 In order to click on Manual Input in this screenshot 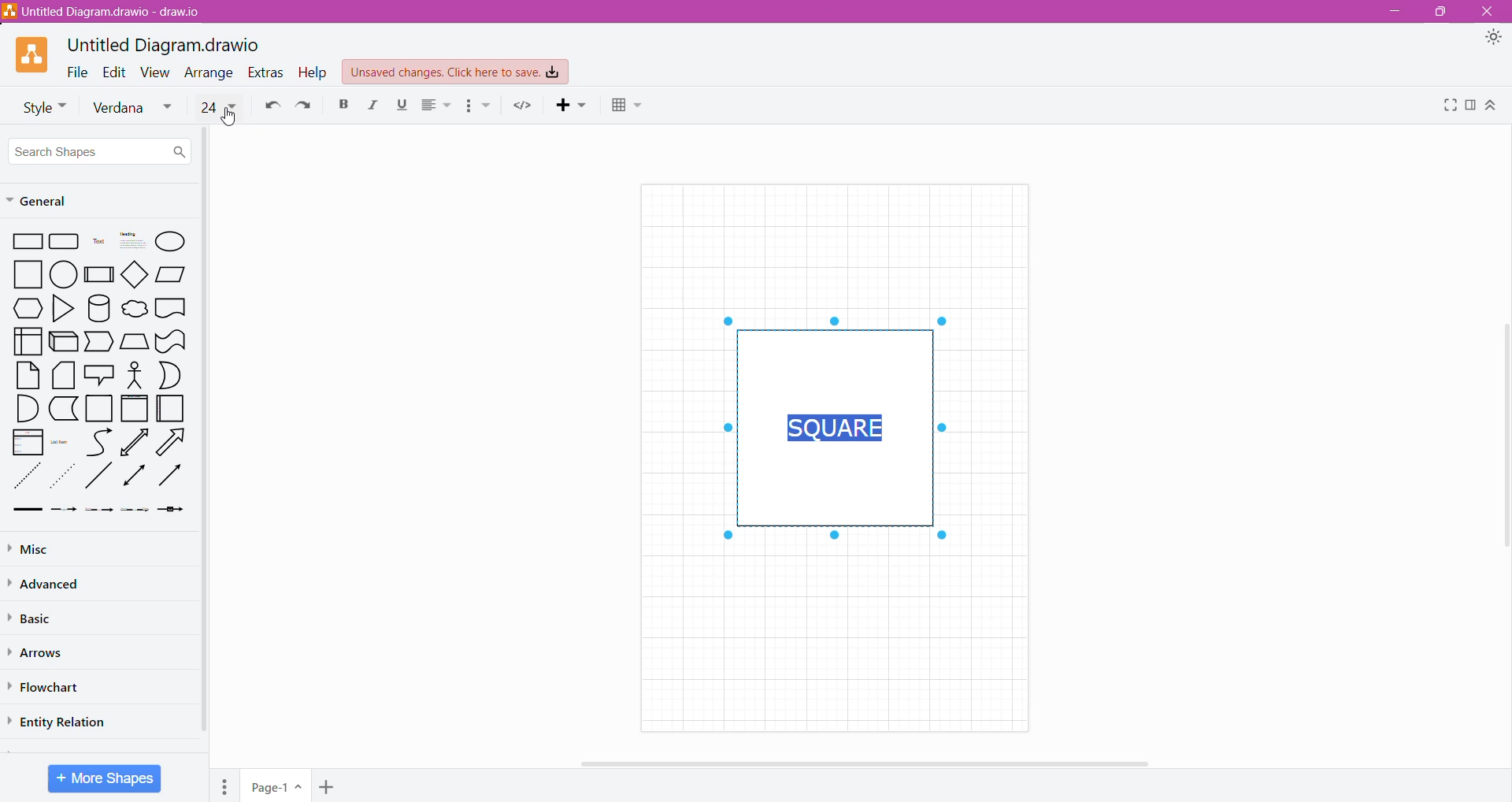, I will do `click(135, 340)`.